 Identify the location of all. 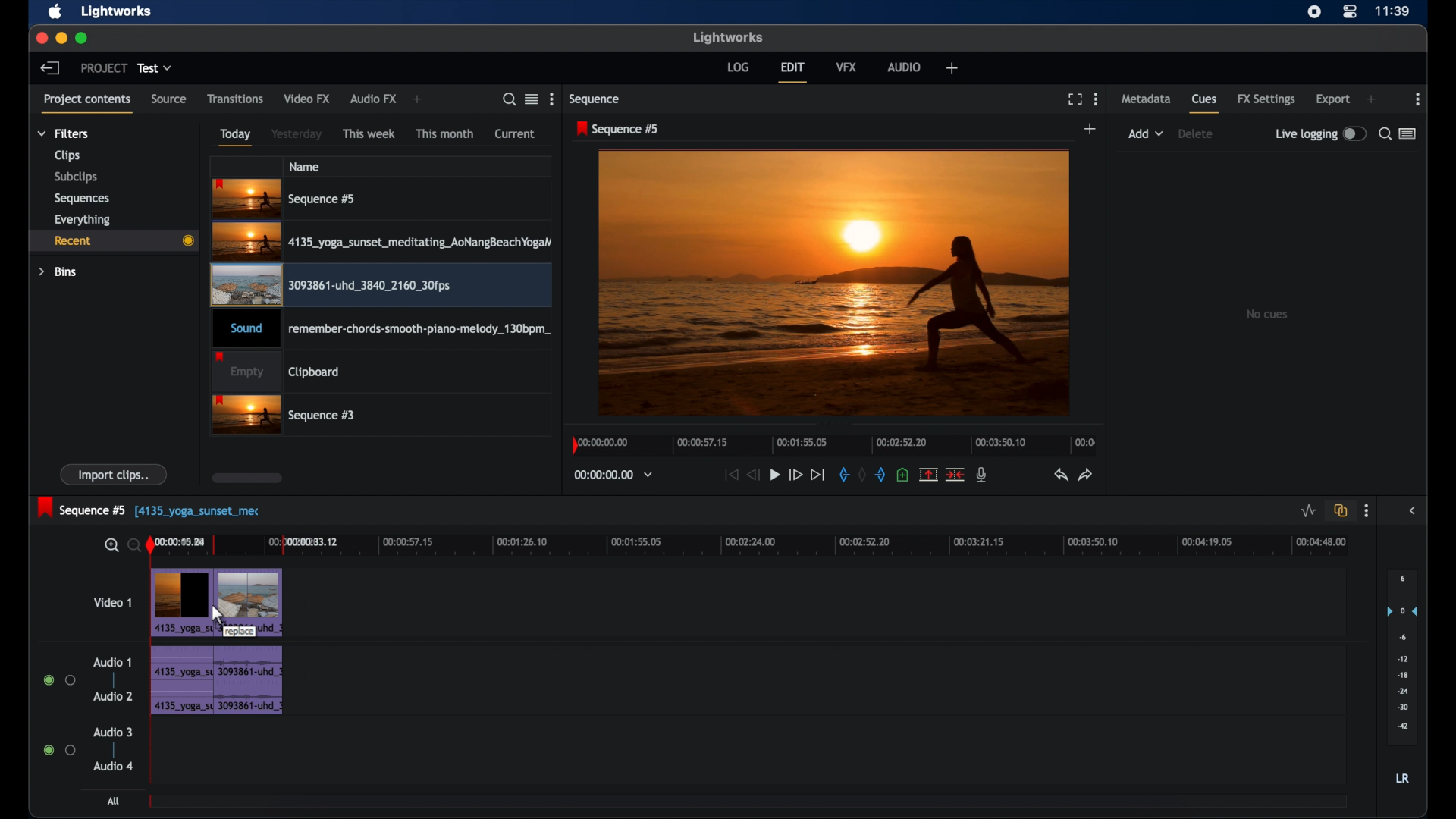
(113, 801).